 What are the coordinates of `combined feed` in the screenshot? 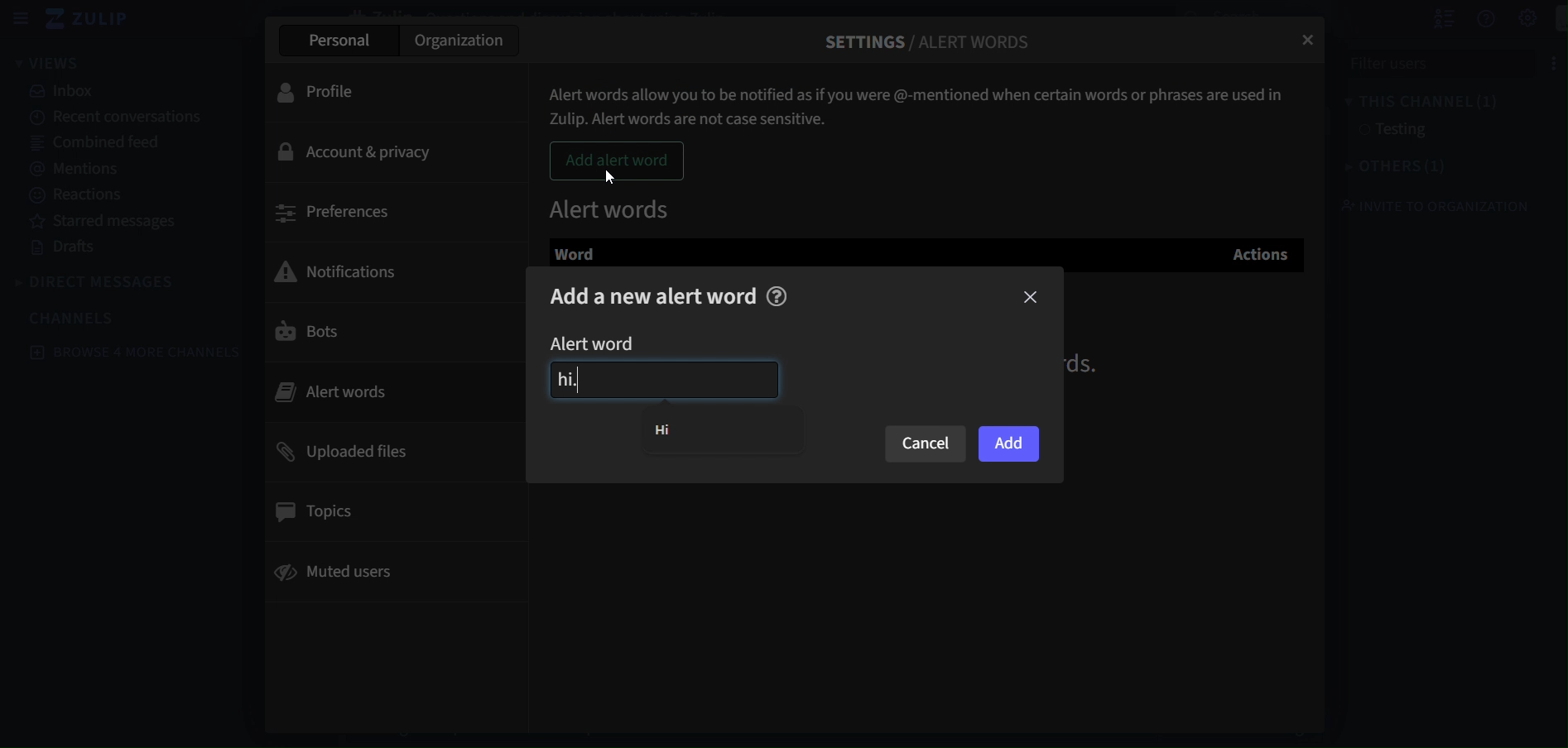 It's located at (102, 144).